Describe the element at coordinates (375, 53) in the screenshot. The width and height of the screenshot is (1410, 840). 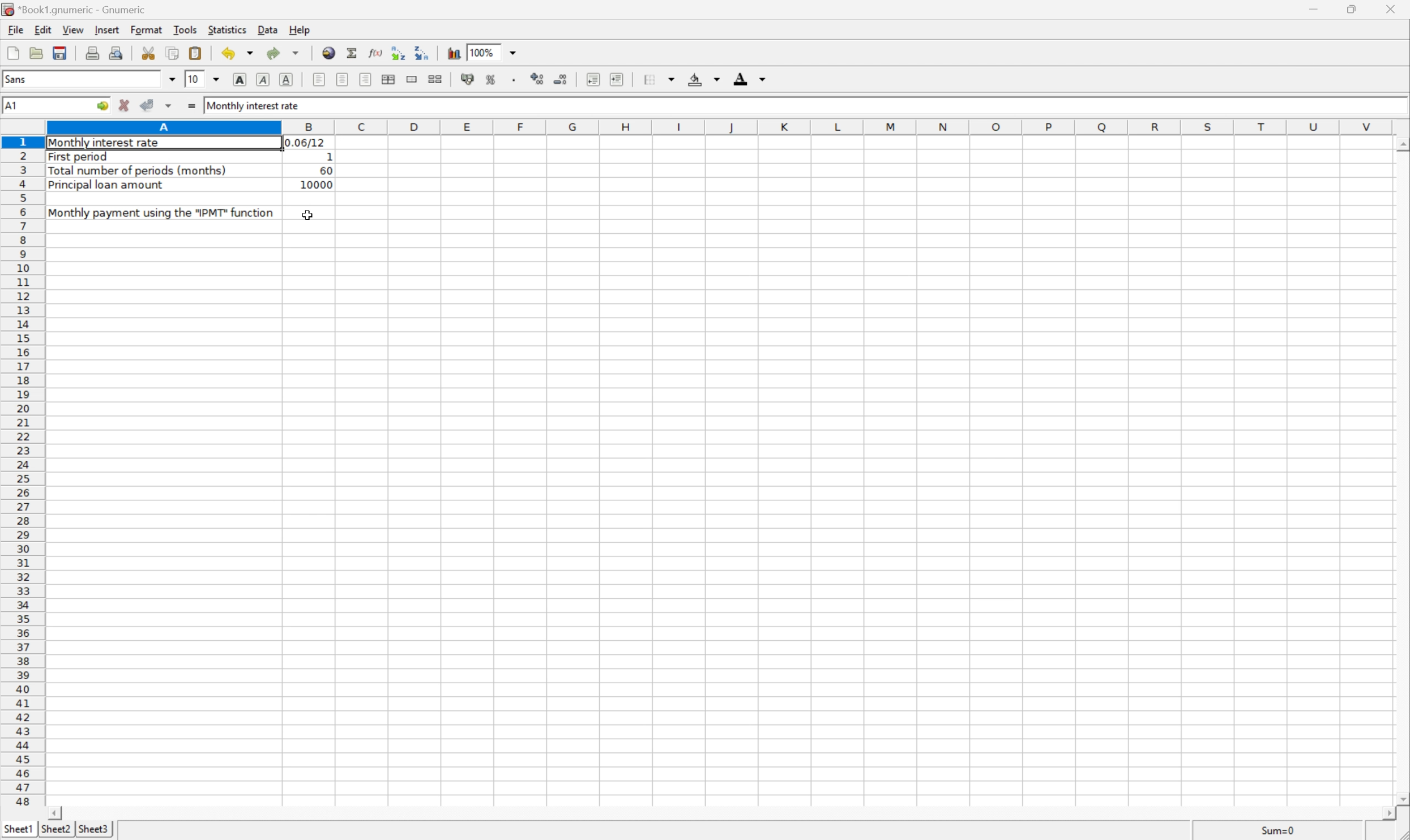
I see `Edit function in current cell` at that location.